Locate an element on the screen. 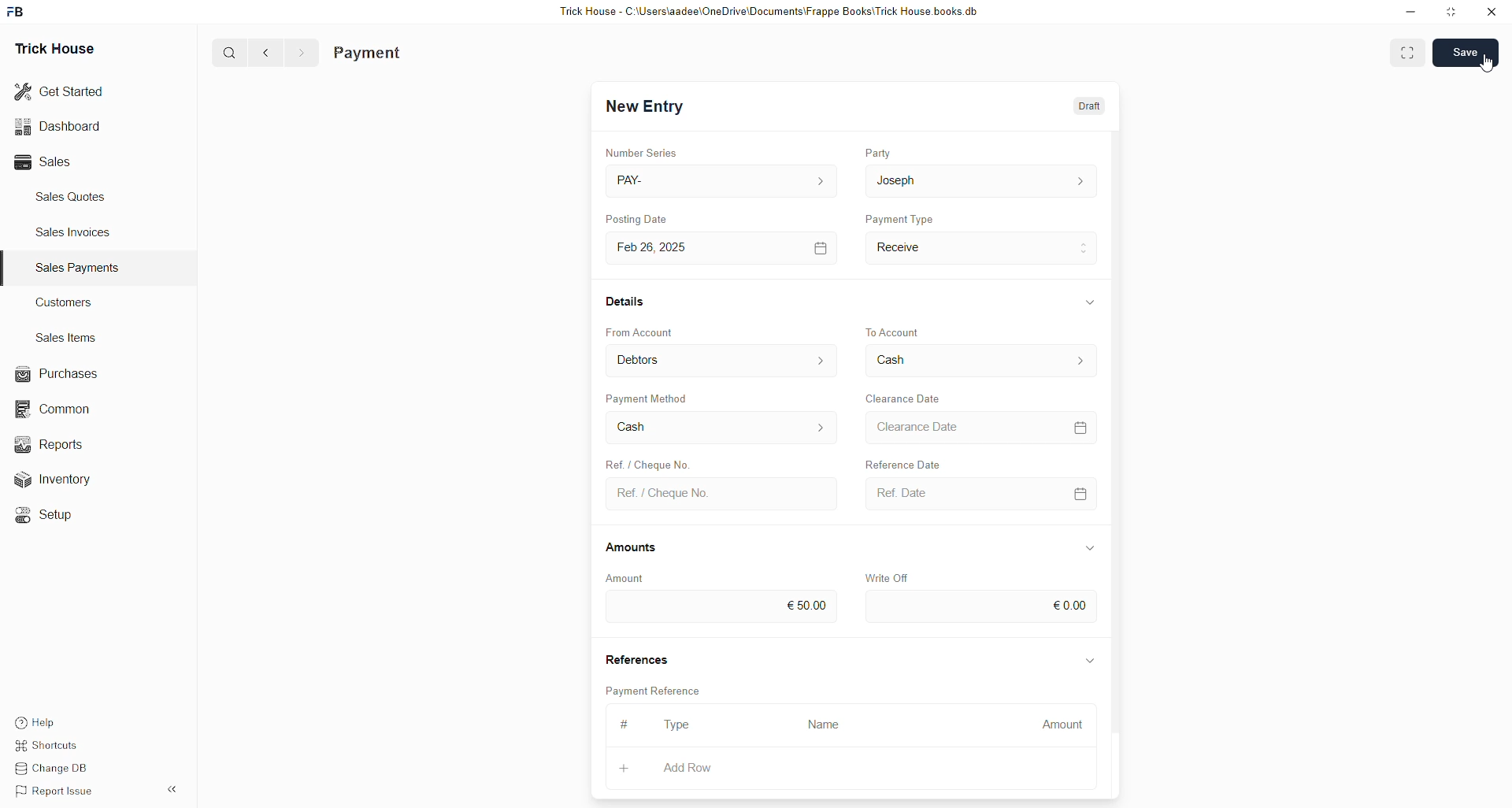  Number Series is located at coordinates (642, 152).